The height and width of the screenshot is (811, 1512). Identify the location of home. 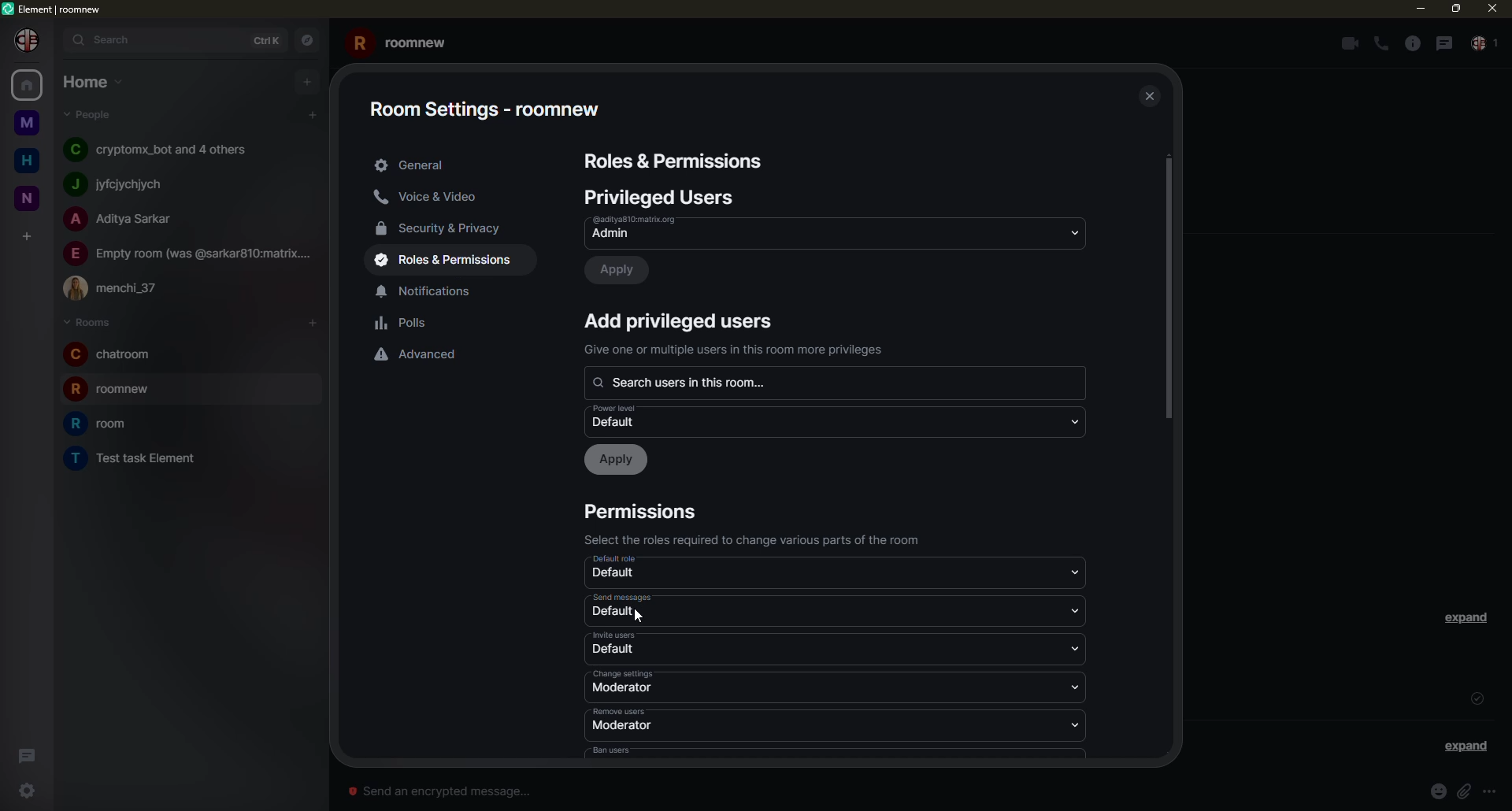
(27, 161).